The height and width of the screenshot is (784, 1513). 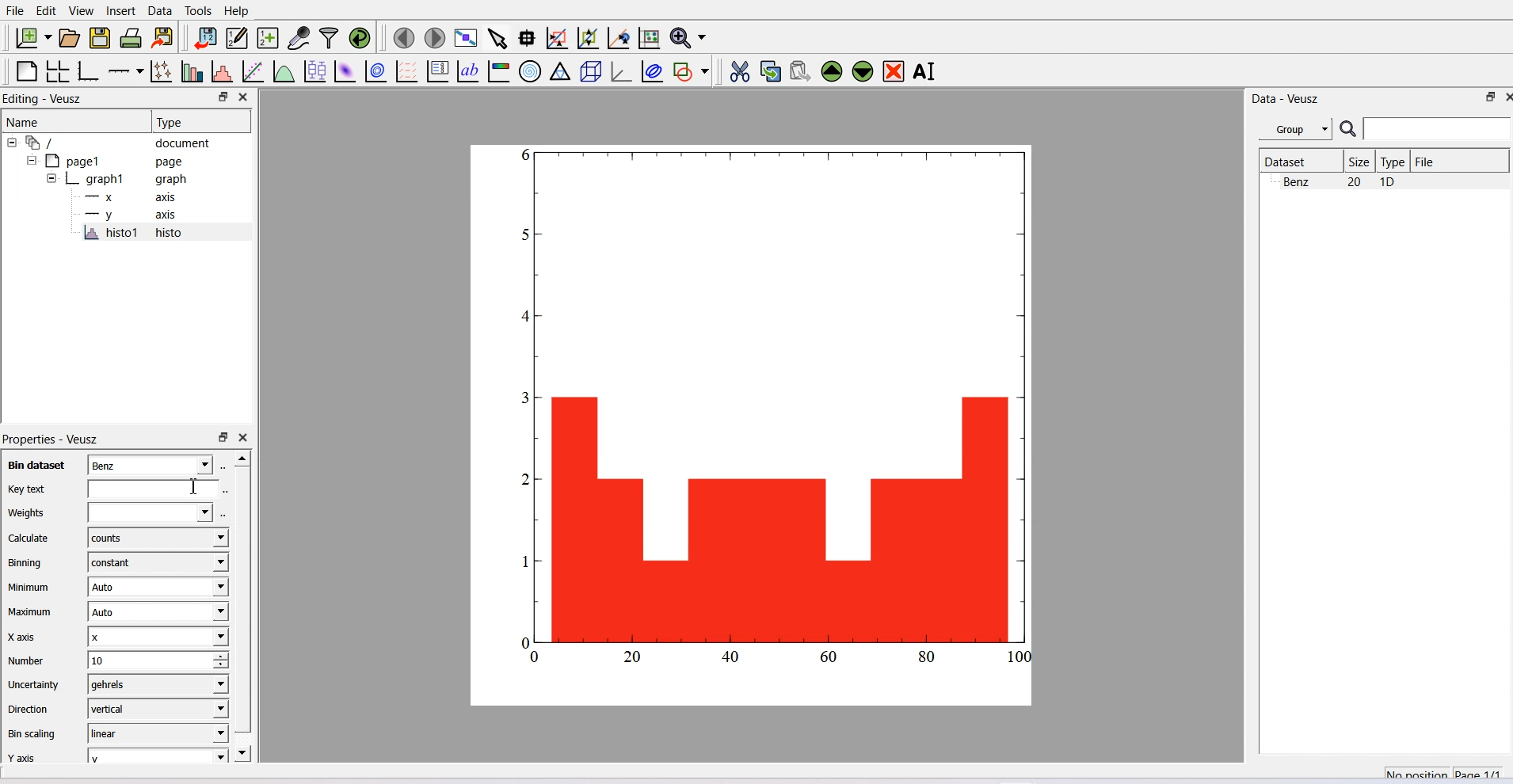 I want to click on Close, so click(x=246, y=97).